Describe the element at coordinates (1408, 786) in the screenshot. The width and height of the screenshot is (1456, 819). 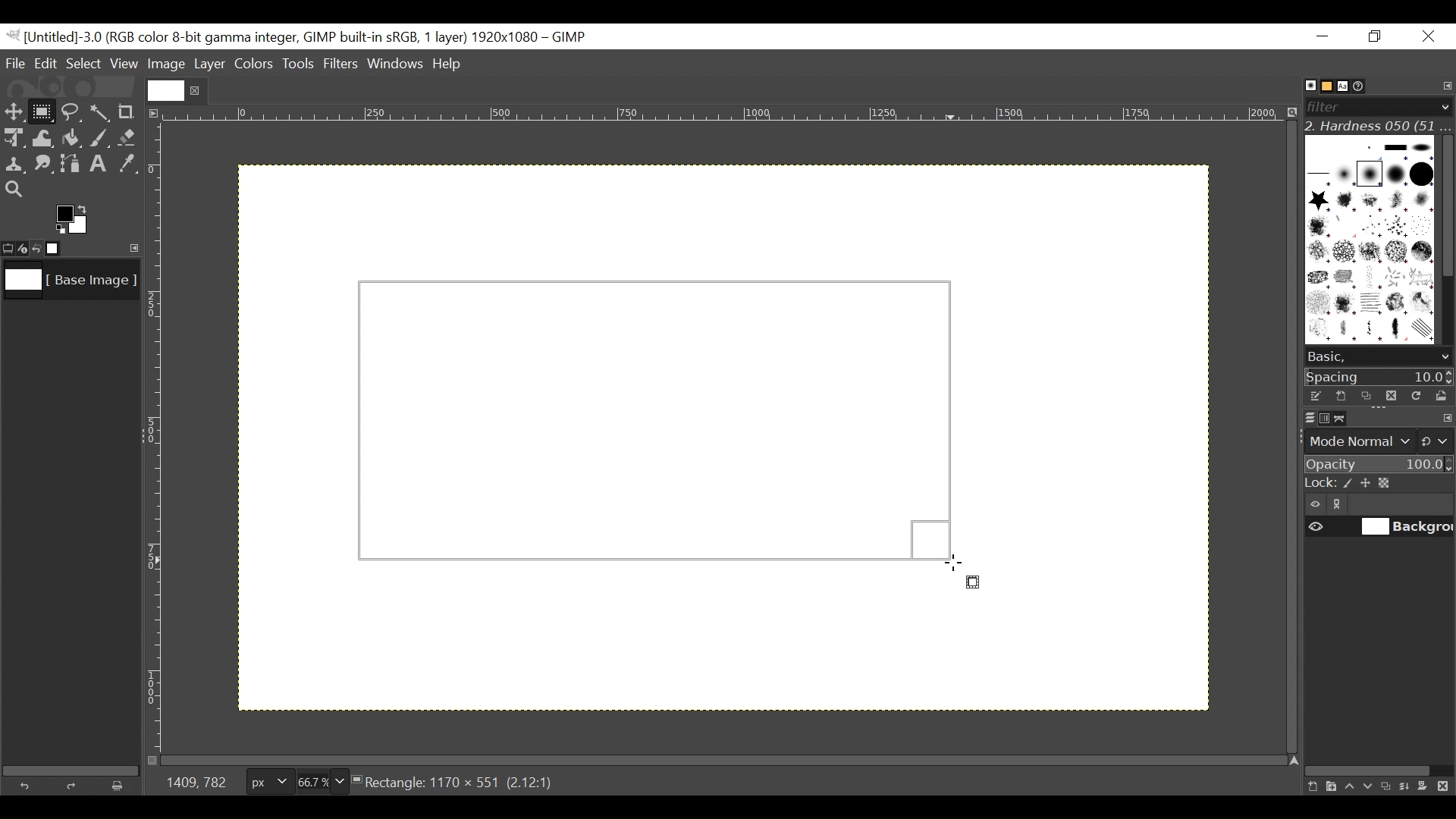
I see `merge the layer` at that location.